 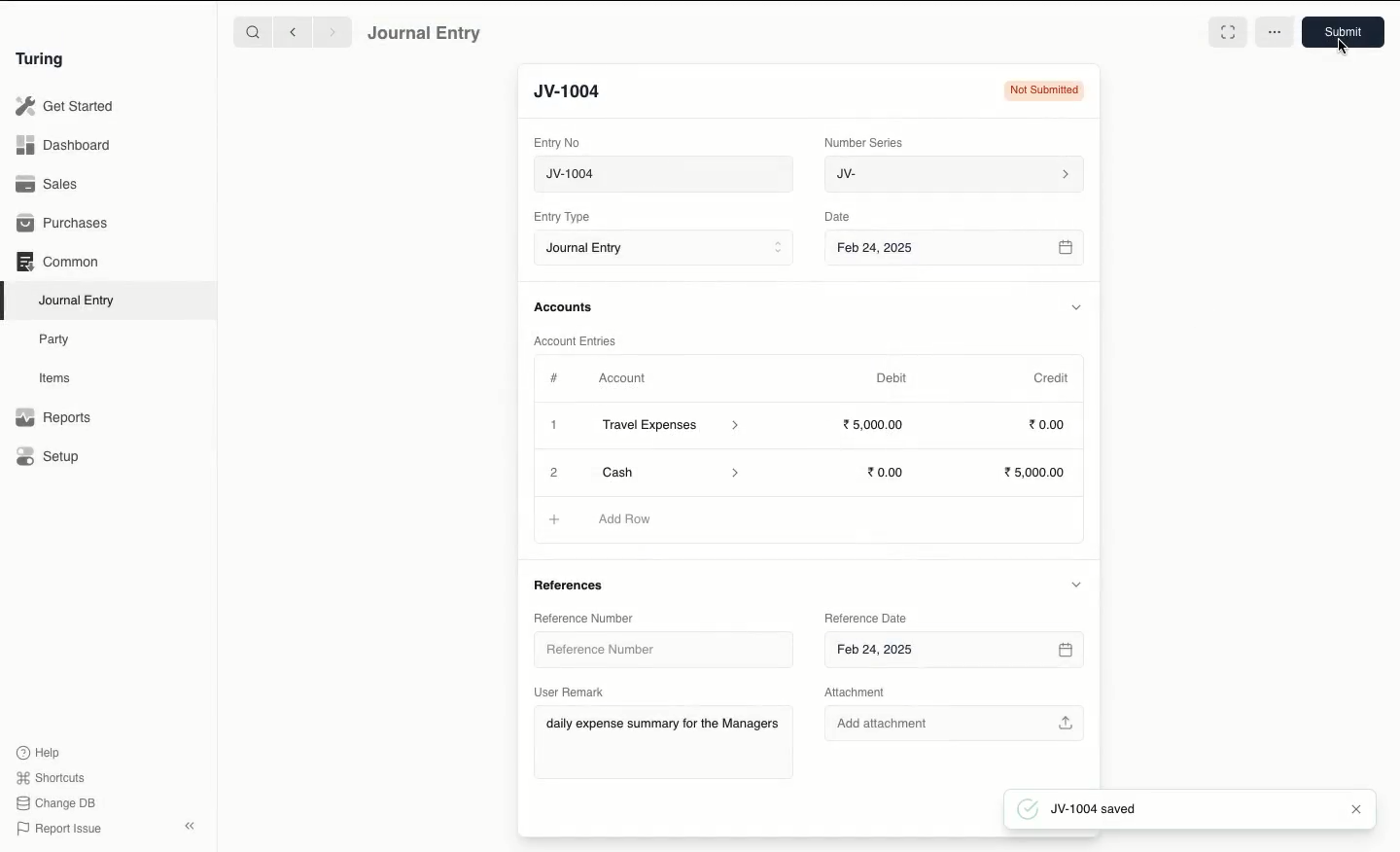 I want to click on Items, so click(x=55, y=377).